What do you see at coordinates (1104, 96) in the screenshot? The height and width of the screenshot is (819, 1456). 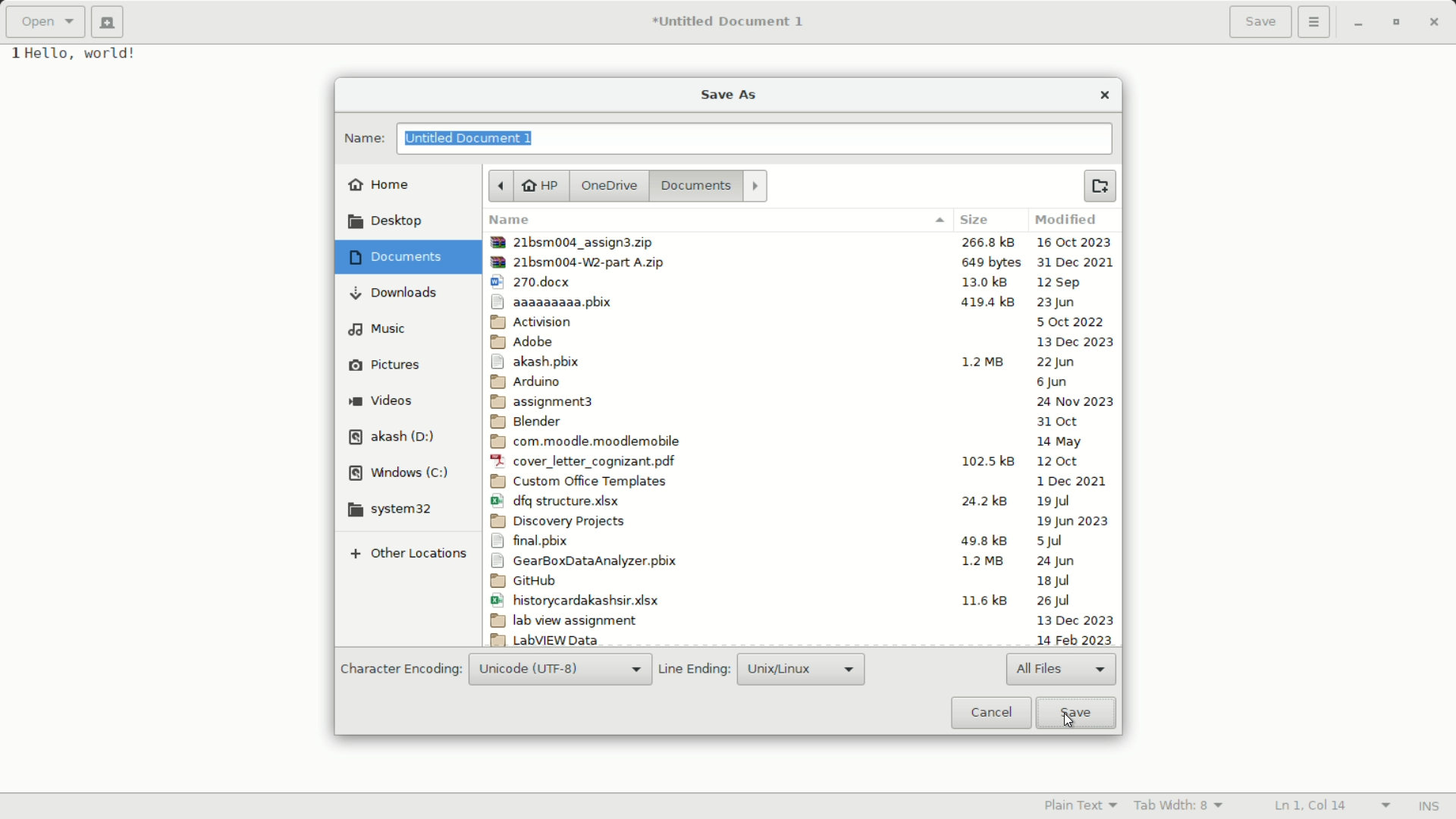 I see `close` at bounding box center [1104, 96].